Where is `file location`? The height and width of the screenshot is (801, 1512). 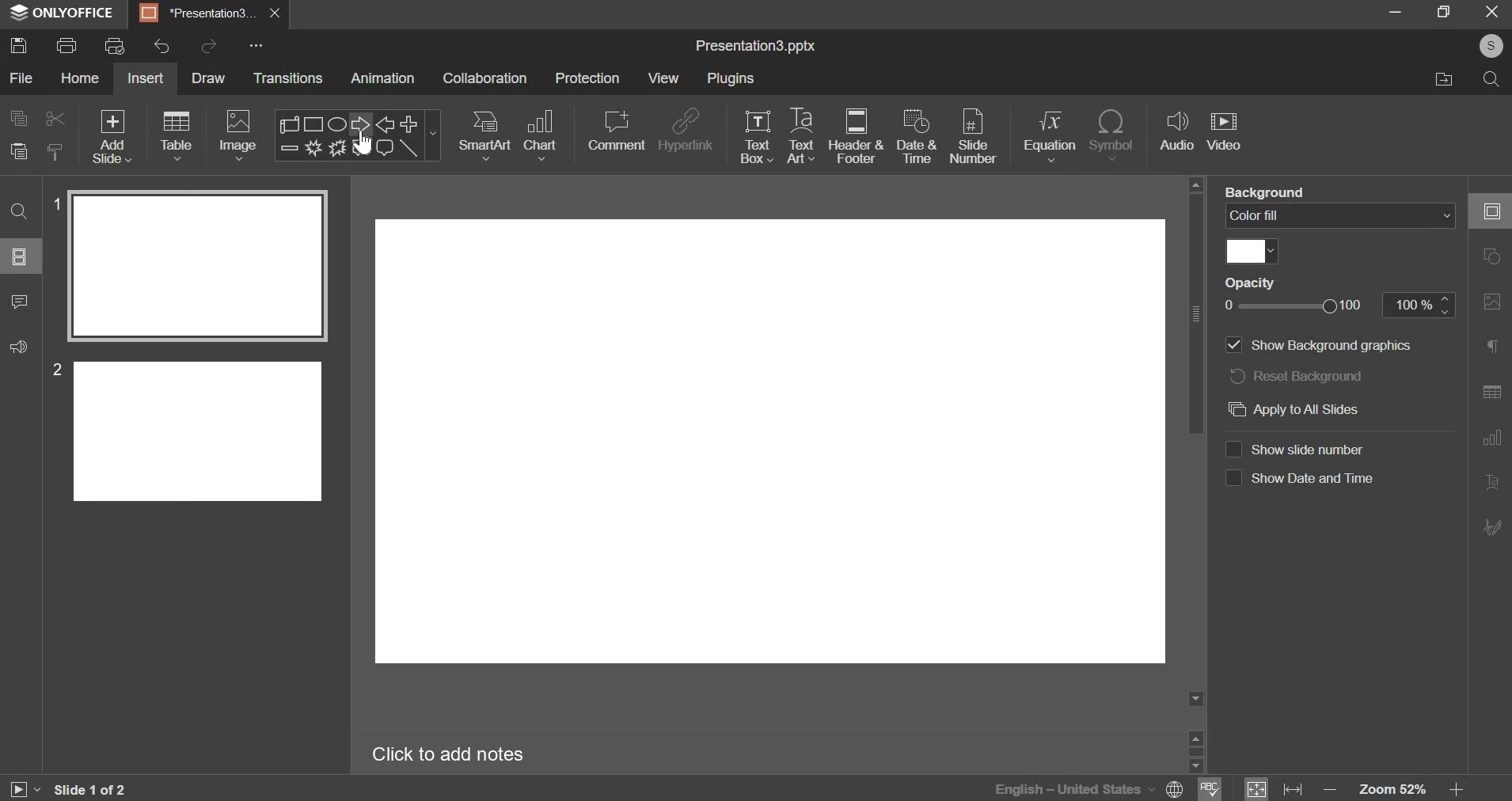
file location is located at coordinates (1442, 80).